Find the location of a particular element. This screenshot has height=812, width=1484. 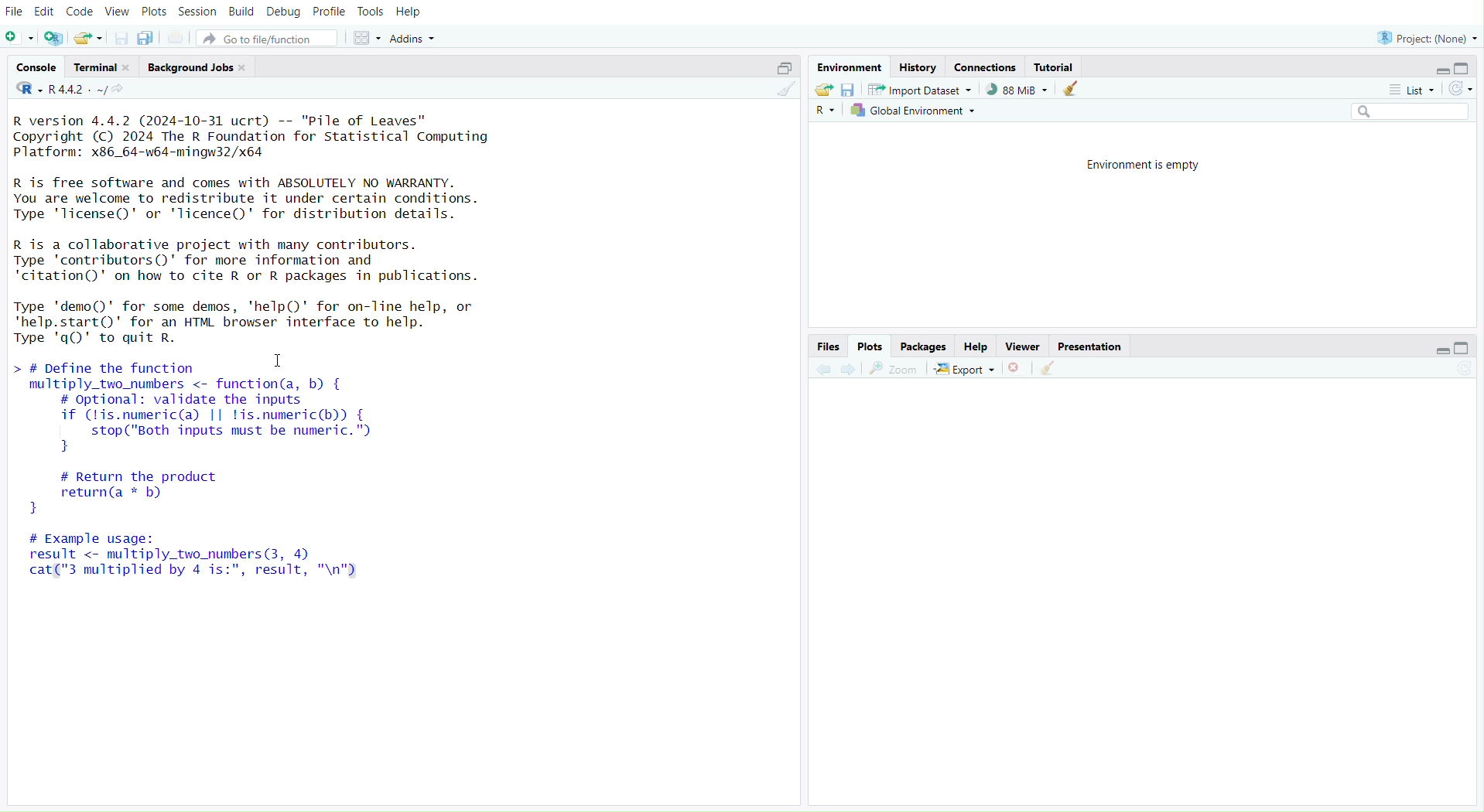

Export is located at coordinates (965, 368).